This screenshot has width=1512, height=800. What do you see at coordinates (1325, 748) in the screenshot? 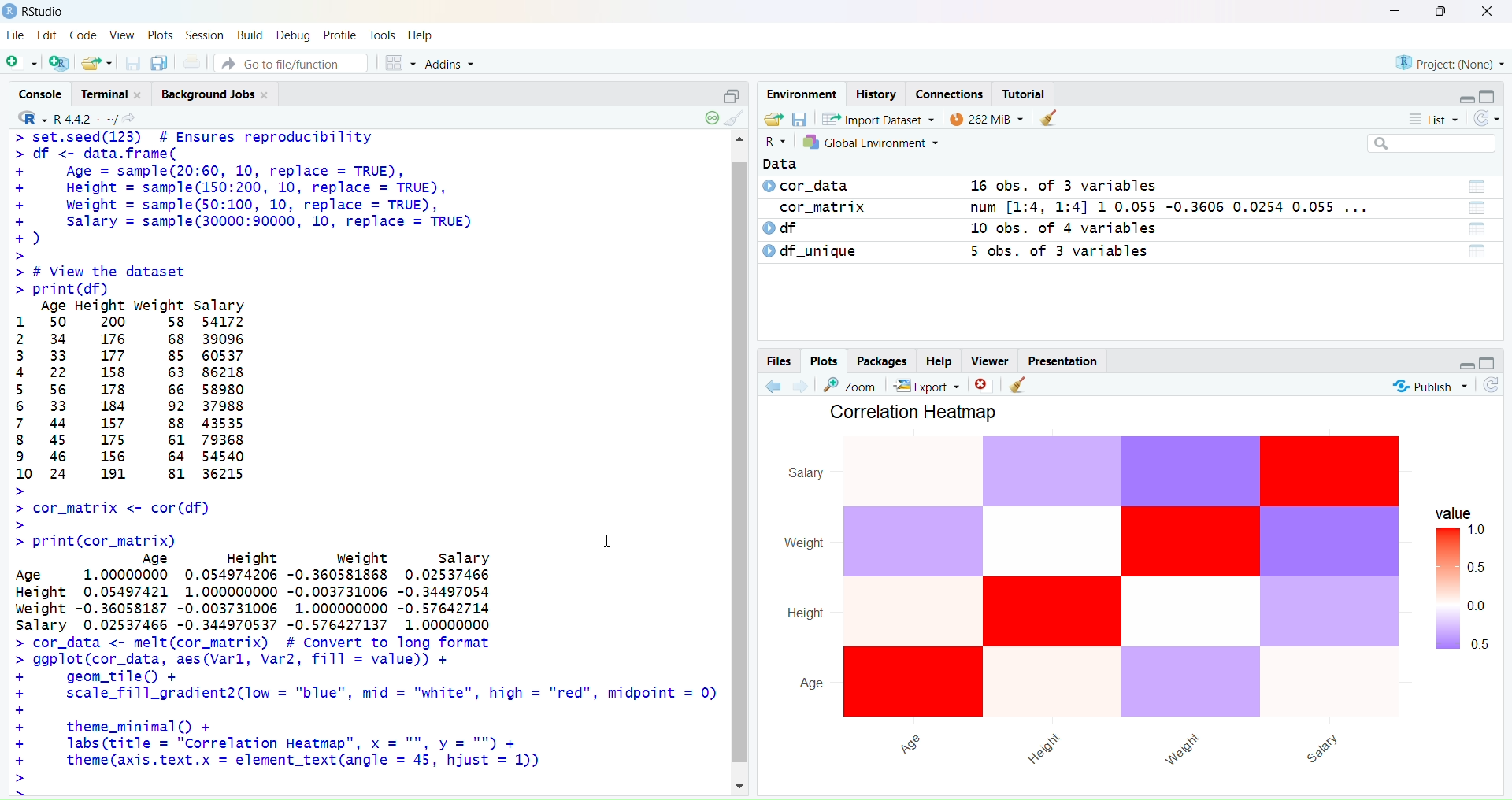
I see `Salary` at bounding box center [1325, 748].